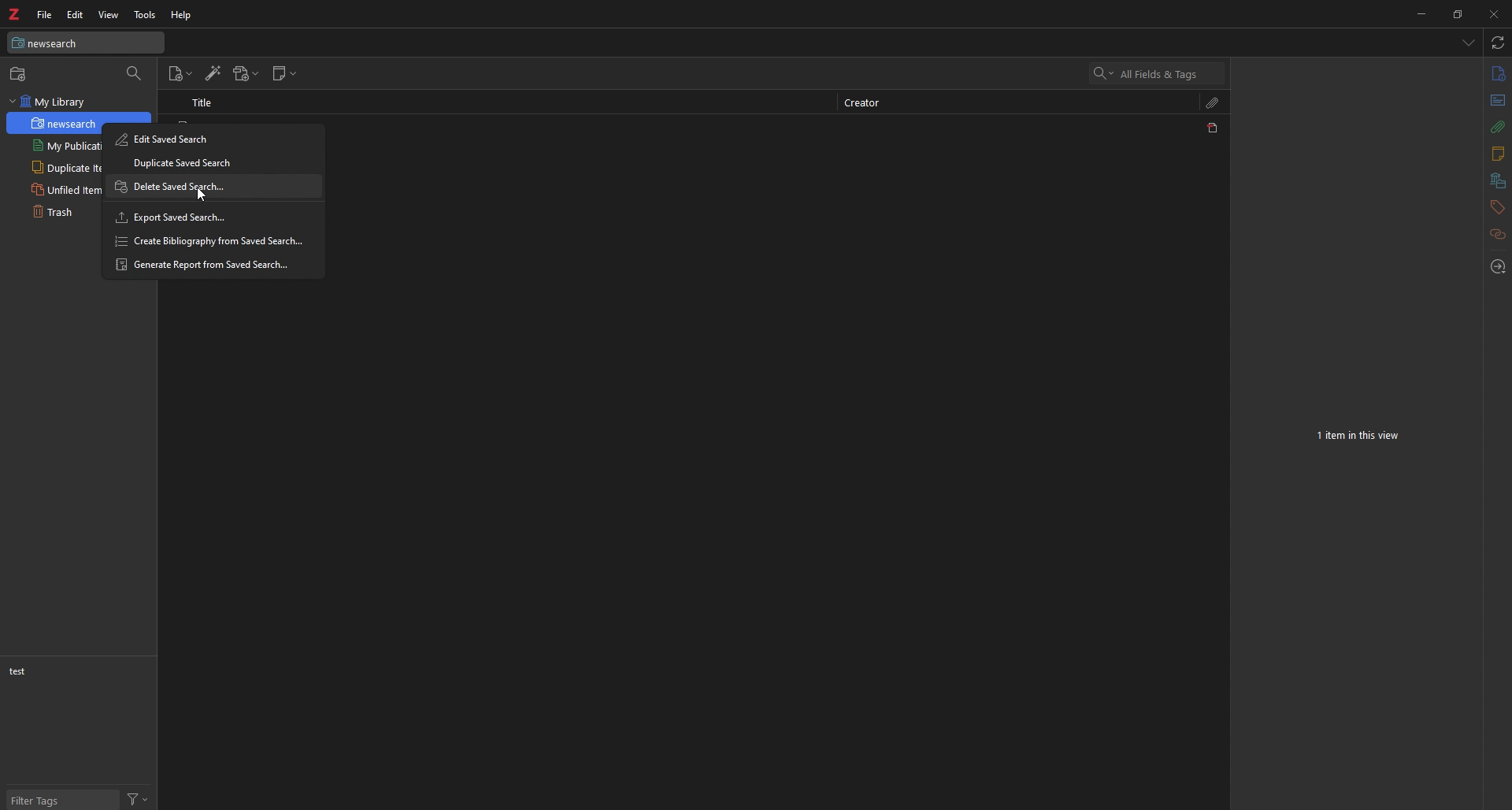 The height and width of the screenshot is (810, 1512). What do you see at coordinates (1501, 267) in the screenshot?
I see `Locate` at bounding box center [1501, 267].